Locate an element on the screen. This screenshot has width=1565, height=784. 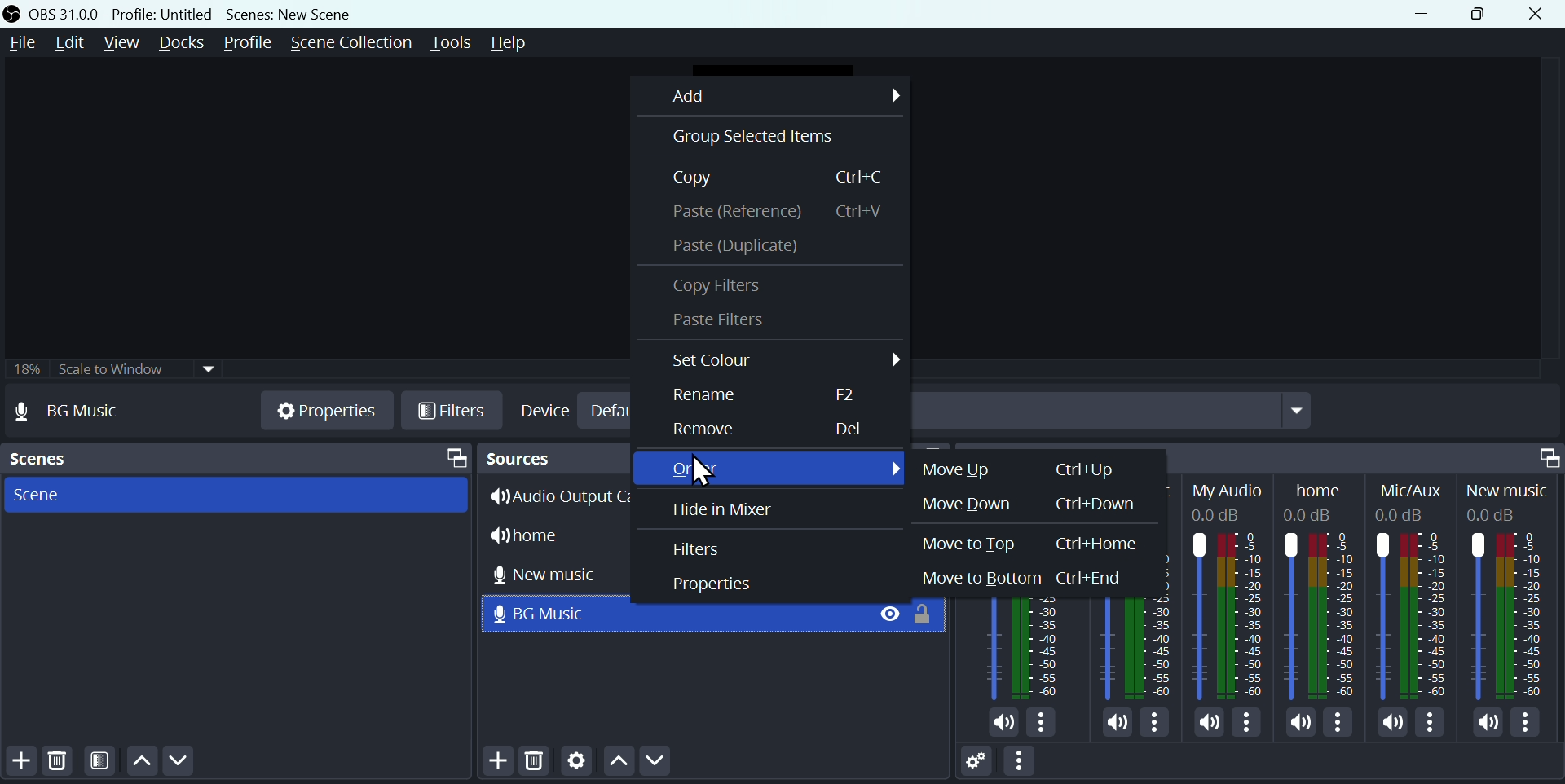
Help is located at coordinates (522, 42).